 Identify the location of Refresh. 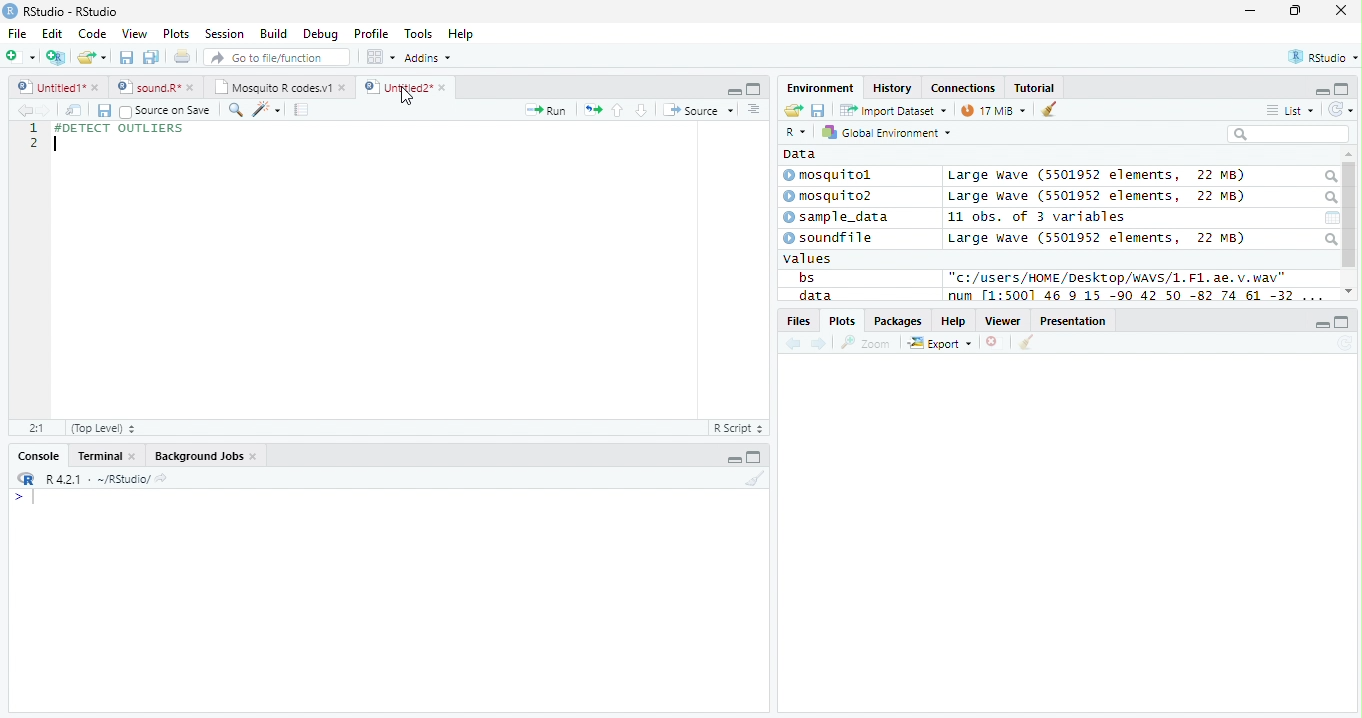
(1344, 344).